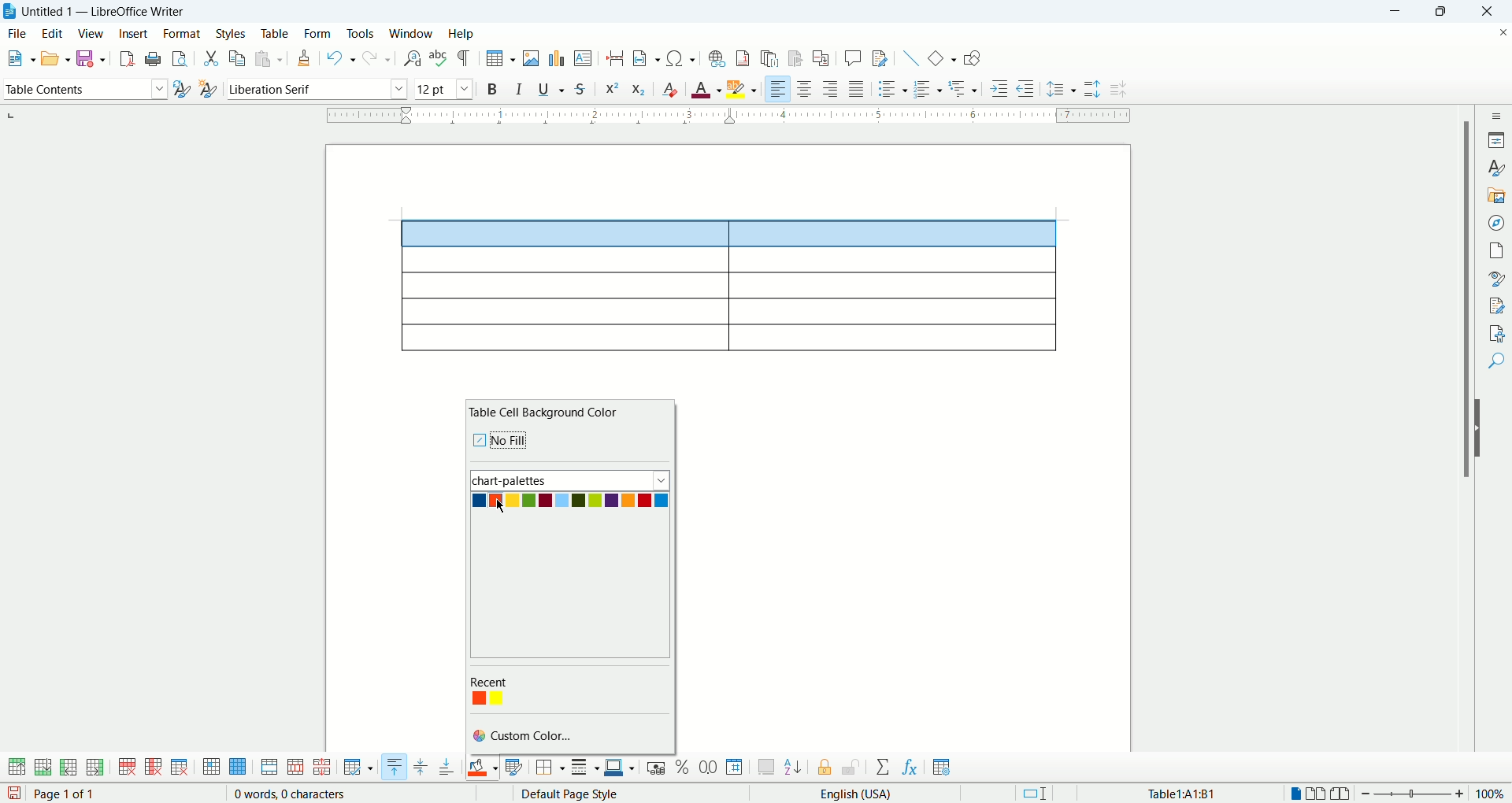 This screenshot has height=803, width=1512. What do you see at coordinates (793, 765) in the screenshot?
I see `sort` at bounding box center [793, 765].